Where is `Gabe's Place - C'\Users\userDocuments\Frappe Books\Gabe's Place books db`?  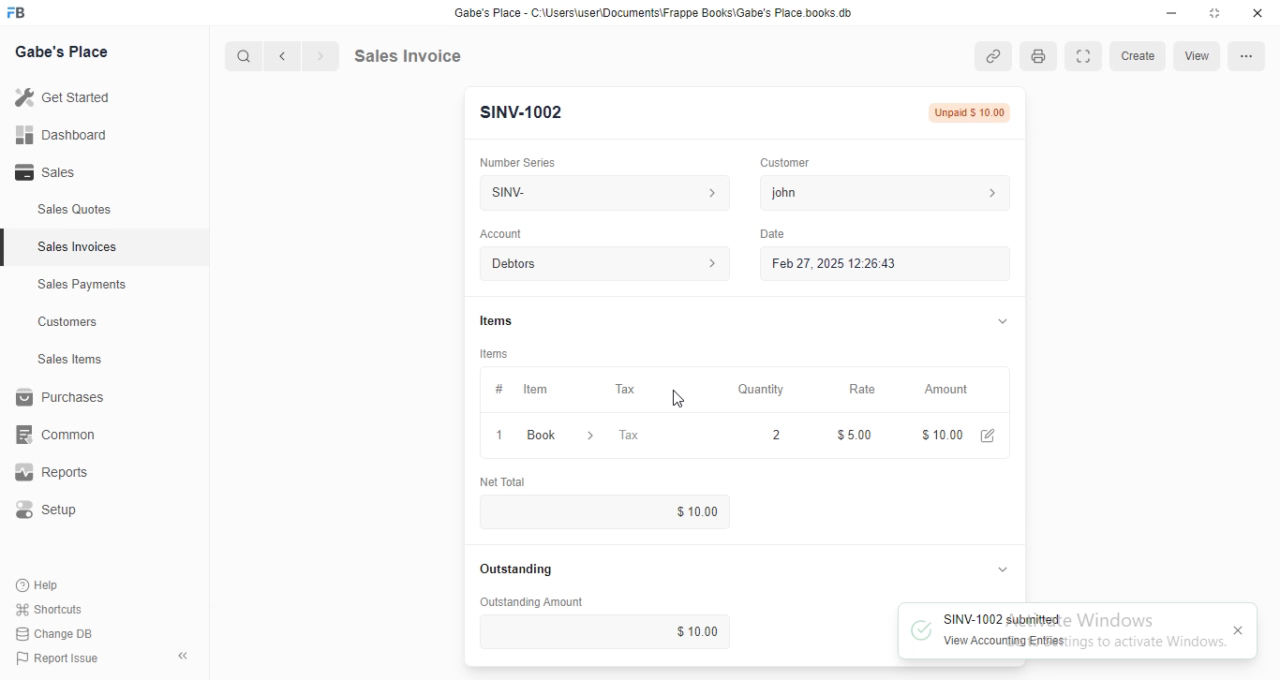
Gabe's Place - C'\Users\userDocuments\Frappe Books\Gabe's Place books db is located at coordinates (657, 13).